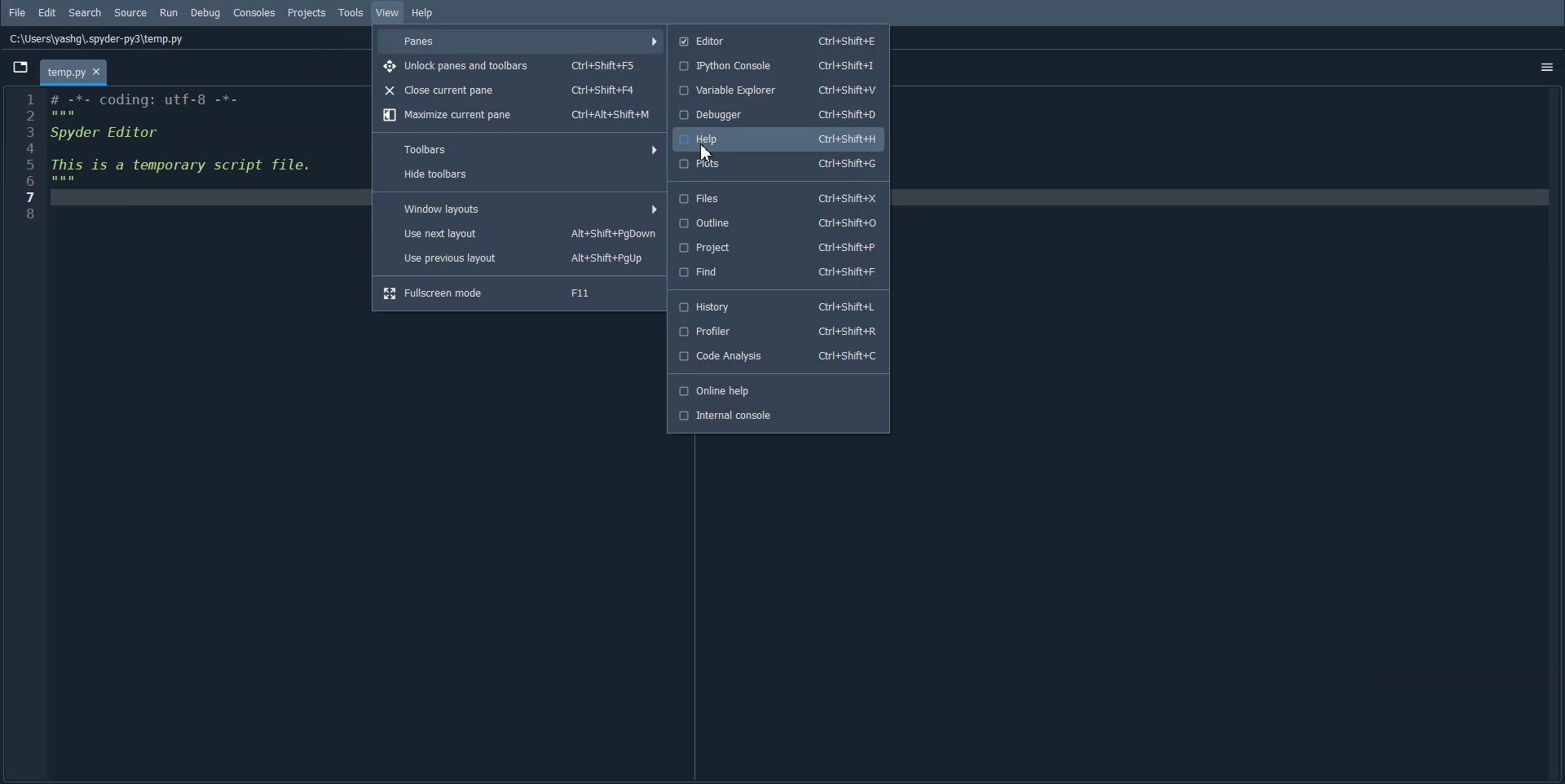 The image size is (1565, 784). Describe the element at coordinates (25, 153) in the screenshot. I see `Line Number` at that location.